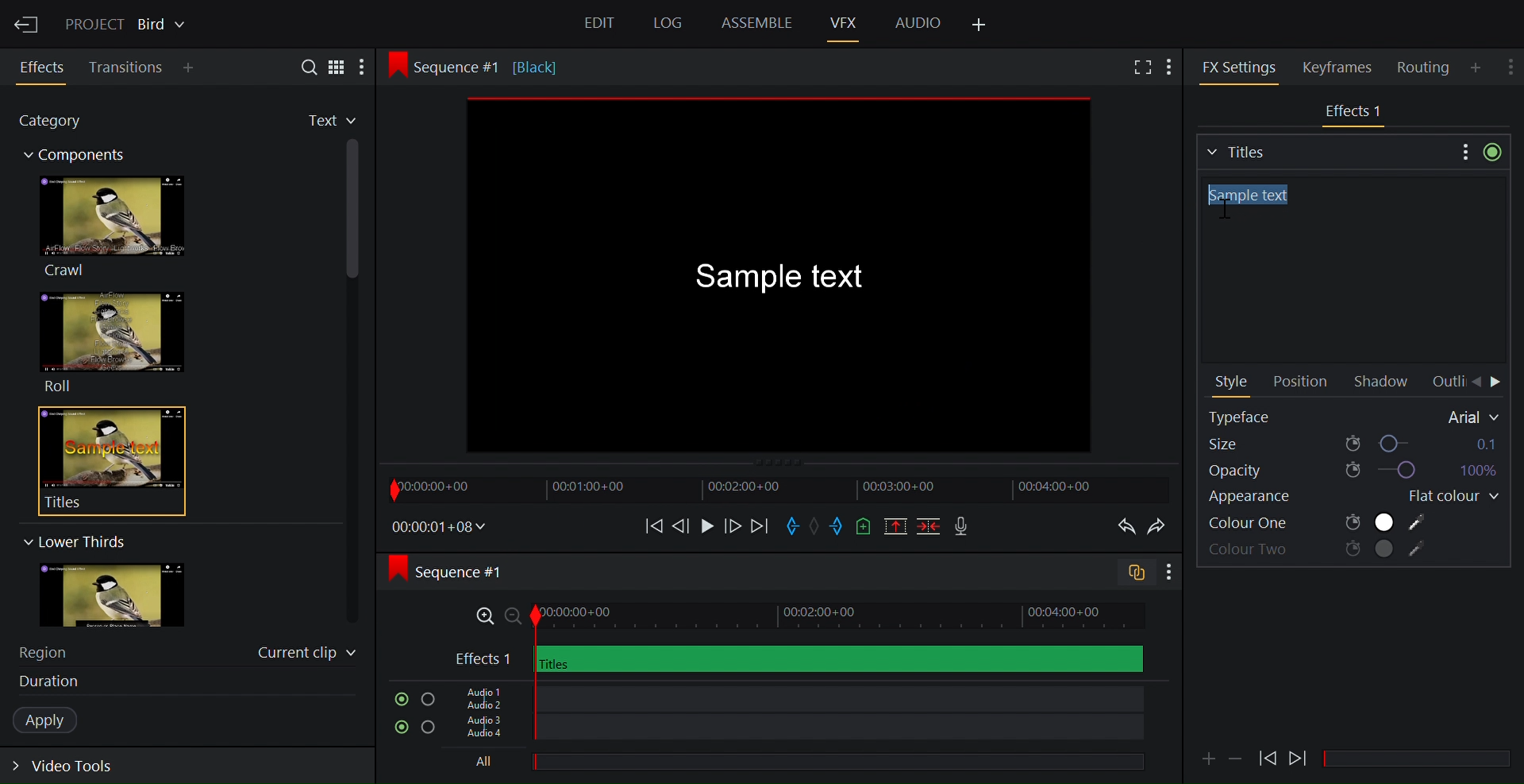  What do you see at coordinates (799, 659) in the screenshot?
I see `Video Track Effects` at bounding box center [799, 659].